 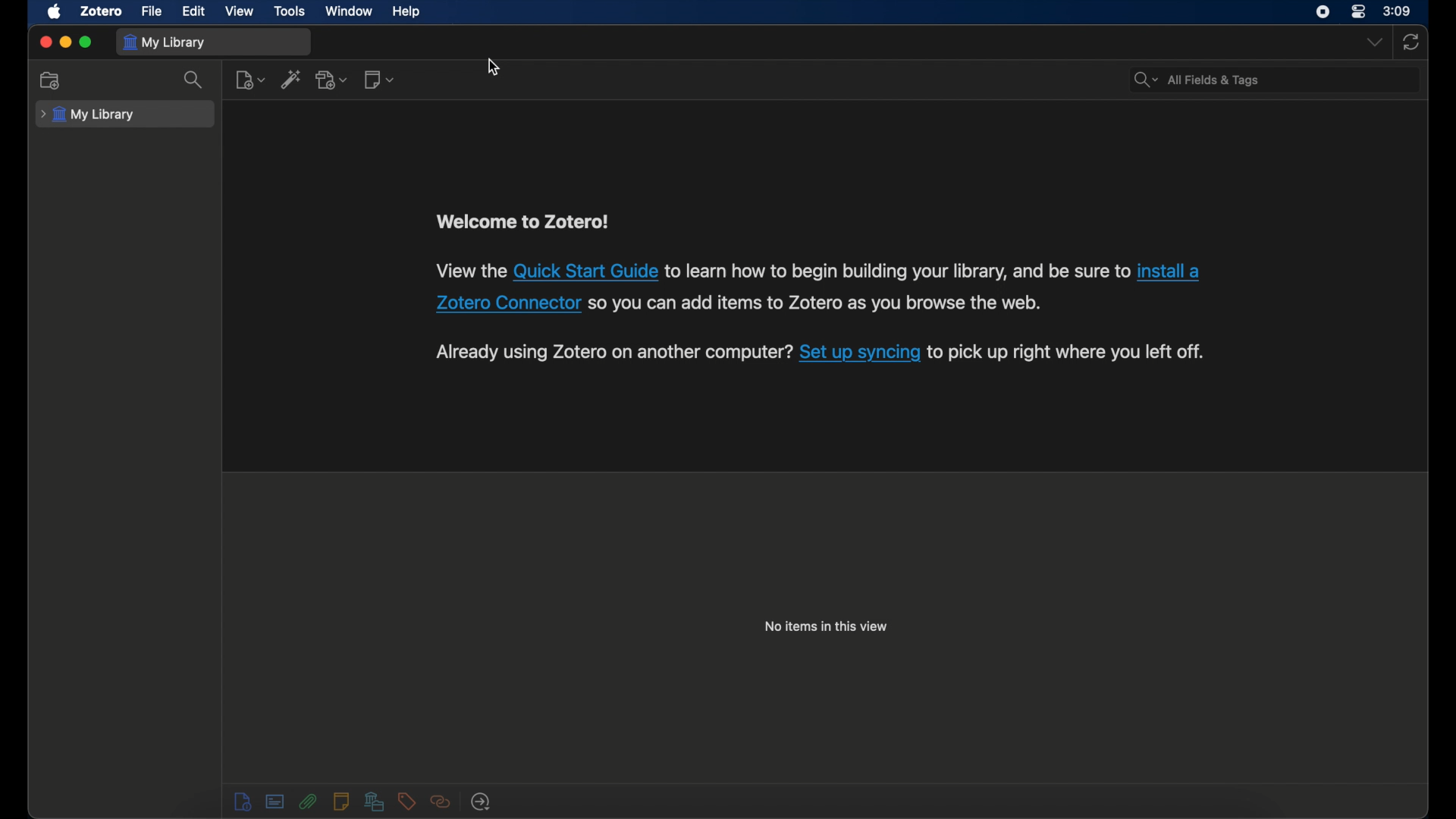 I want to click on notes, so click(x=274, y=801).